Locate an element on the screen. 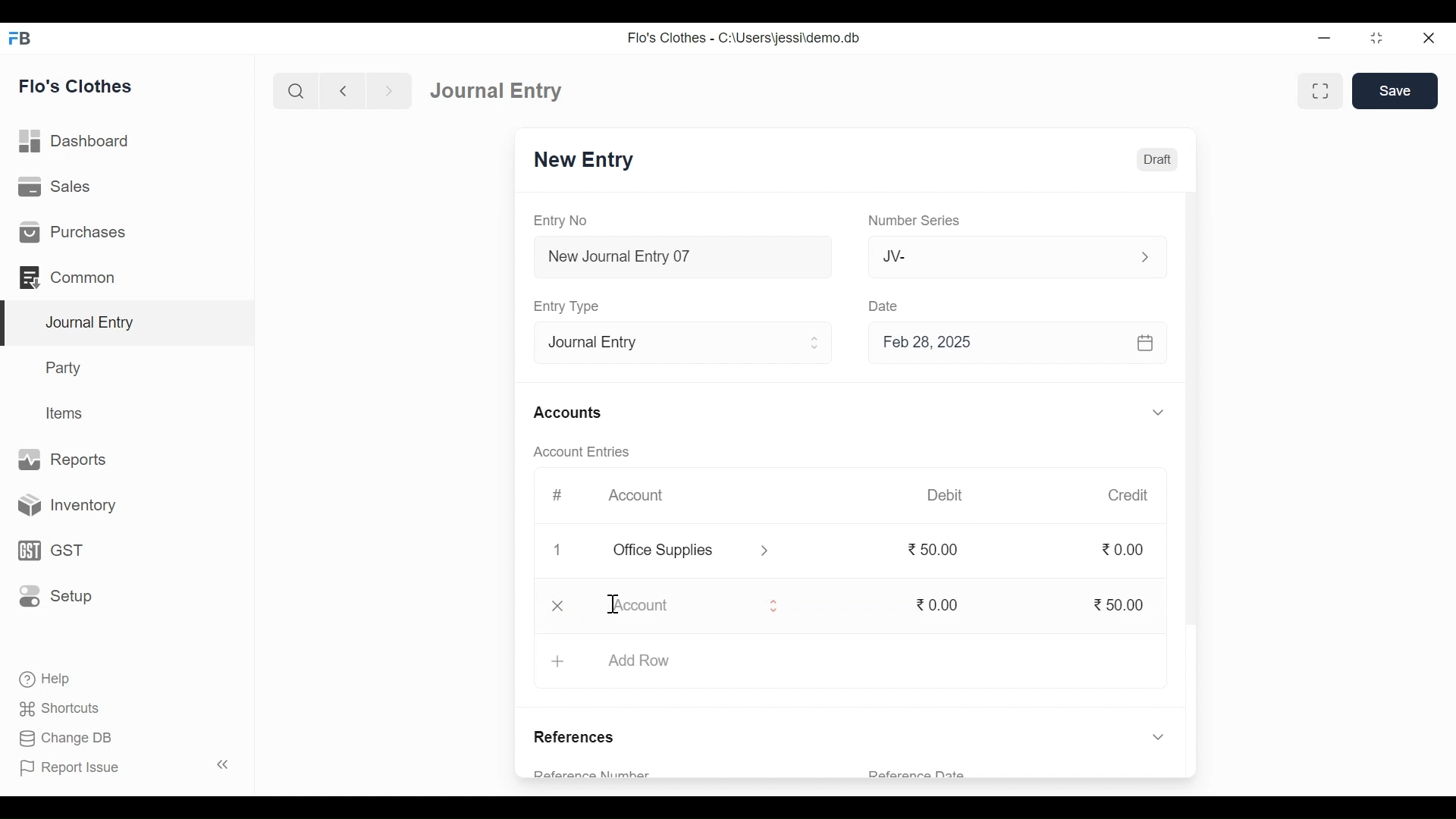 The image size is (1456, 819). 1 is located at coordinates (557, 547).